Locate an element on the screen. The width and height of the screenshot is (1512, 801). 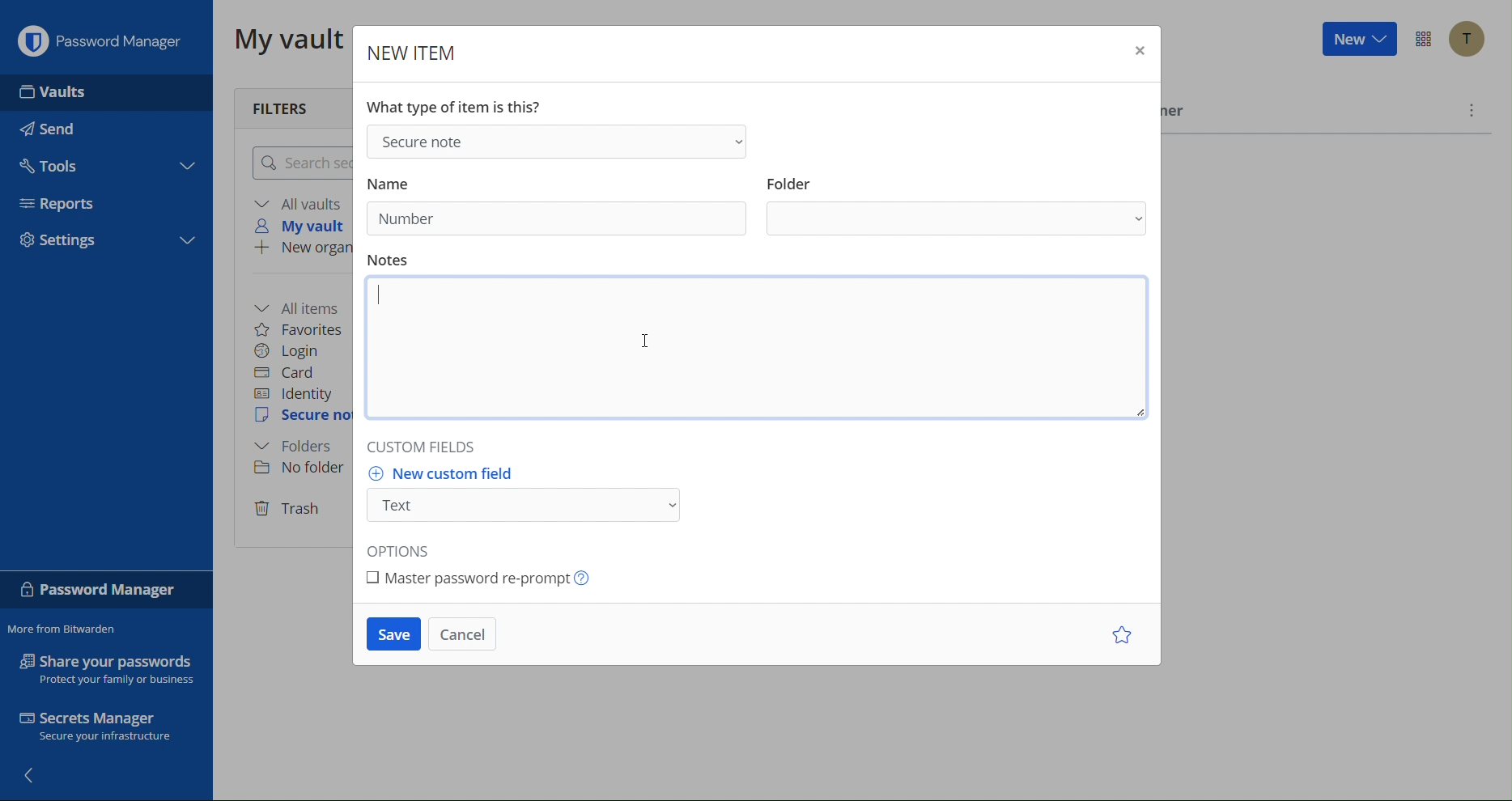
My vault is located at coordinates (306, 227).